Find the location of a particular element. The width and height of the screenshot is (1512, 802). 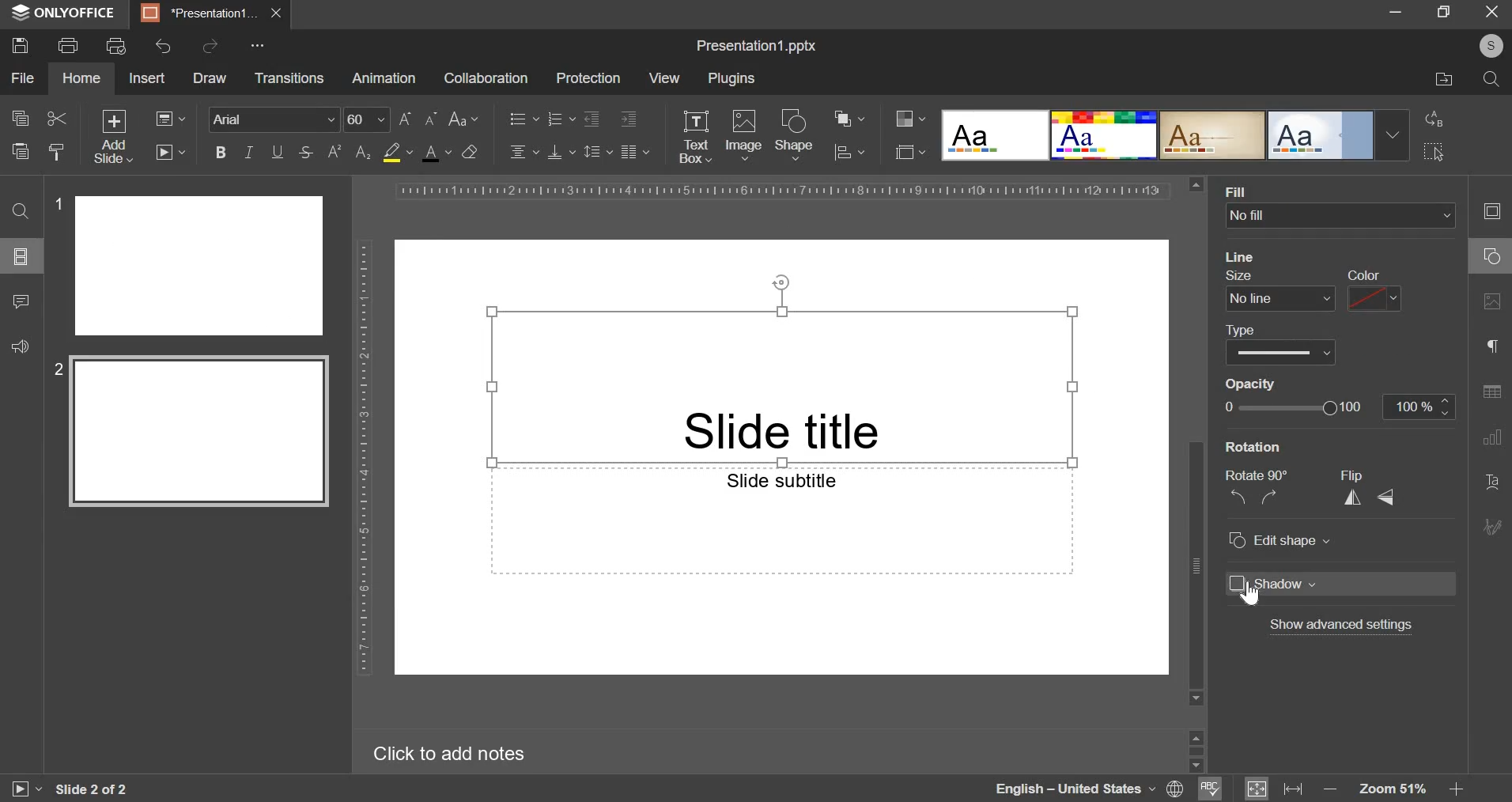

home is located at coordinates (81, 78).